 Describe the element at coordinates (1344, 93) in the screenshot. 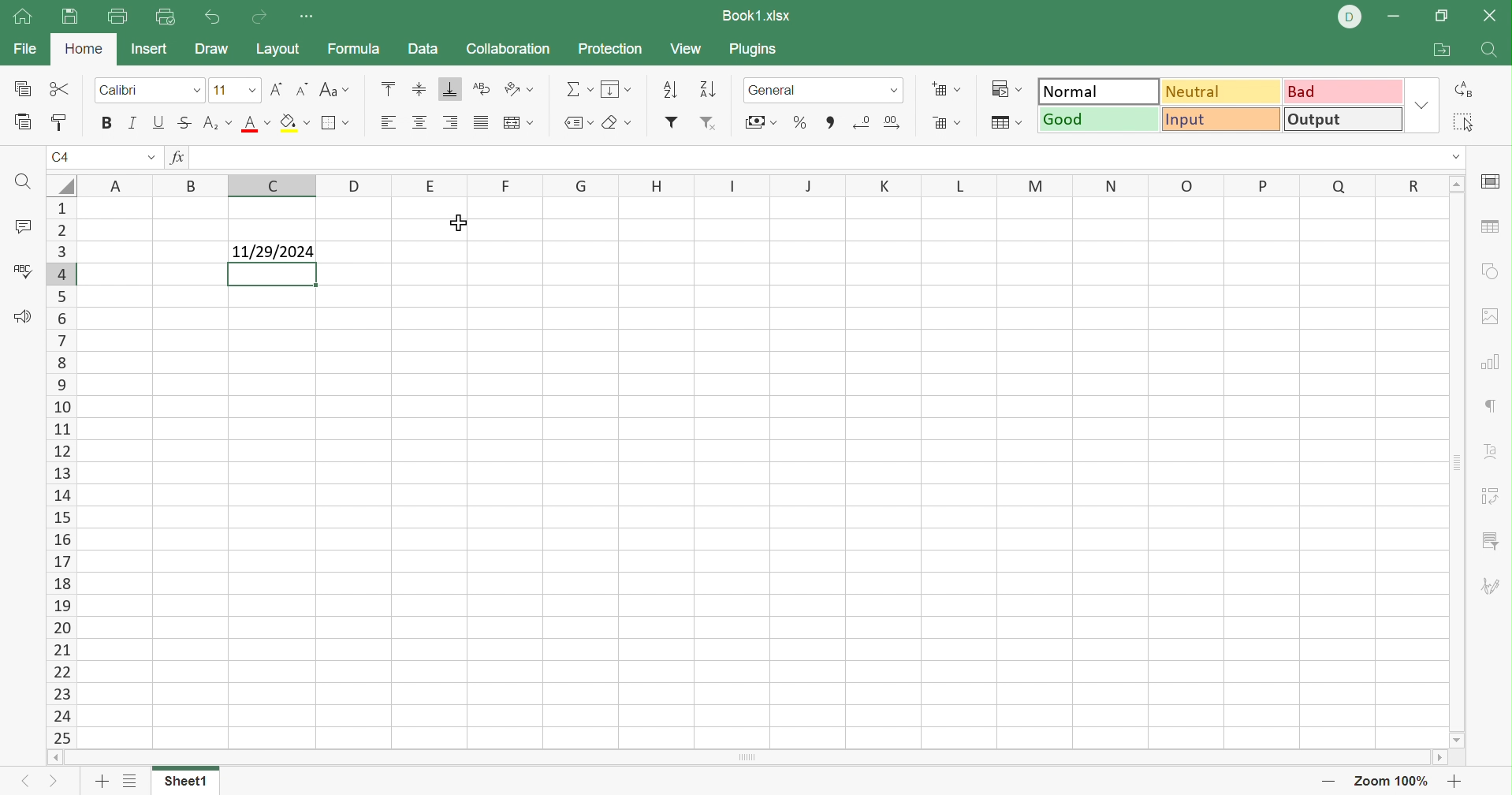

I see `Bad` at that location.